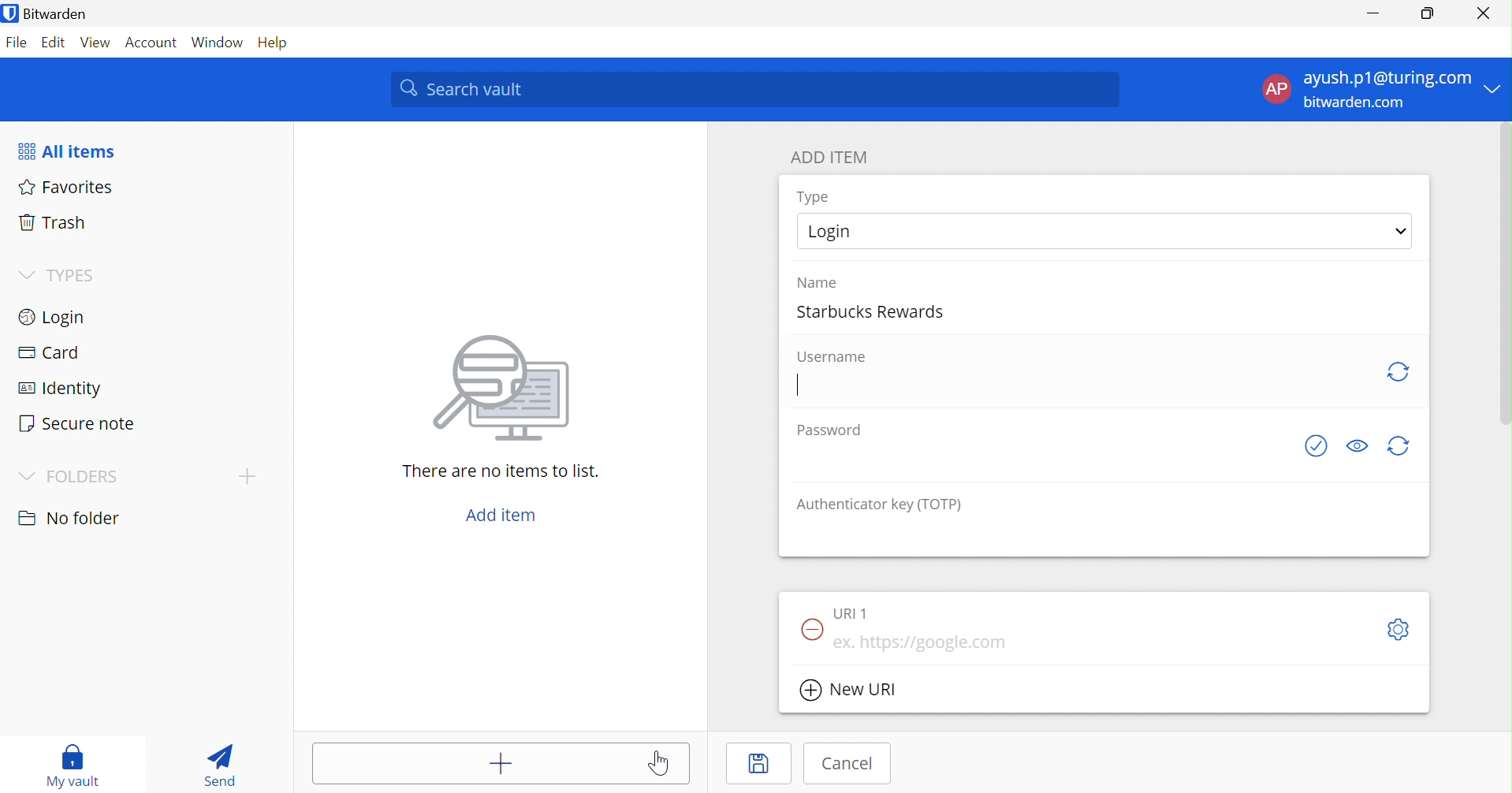 The image size is (1512, 793). What do you see at coordinates (1375, 9) in the screenshot?
I see `Minimize` at bounding box center [1375, 9].